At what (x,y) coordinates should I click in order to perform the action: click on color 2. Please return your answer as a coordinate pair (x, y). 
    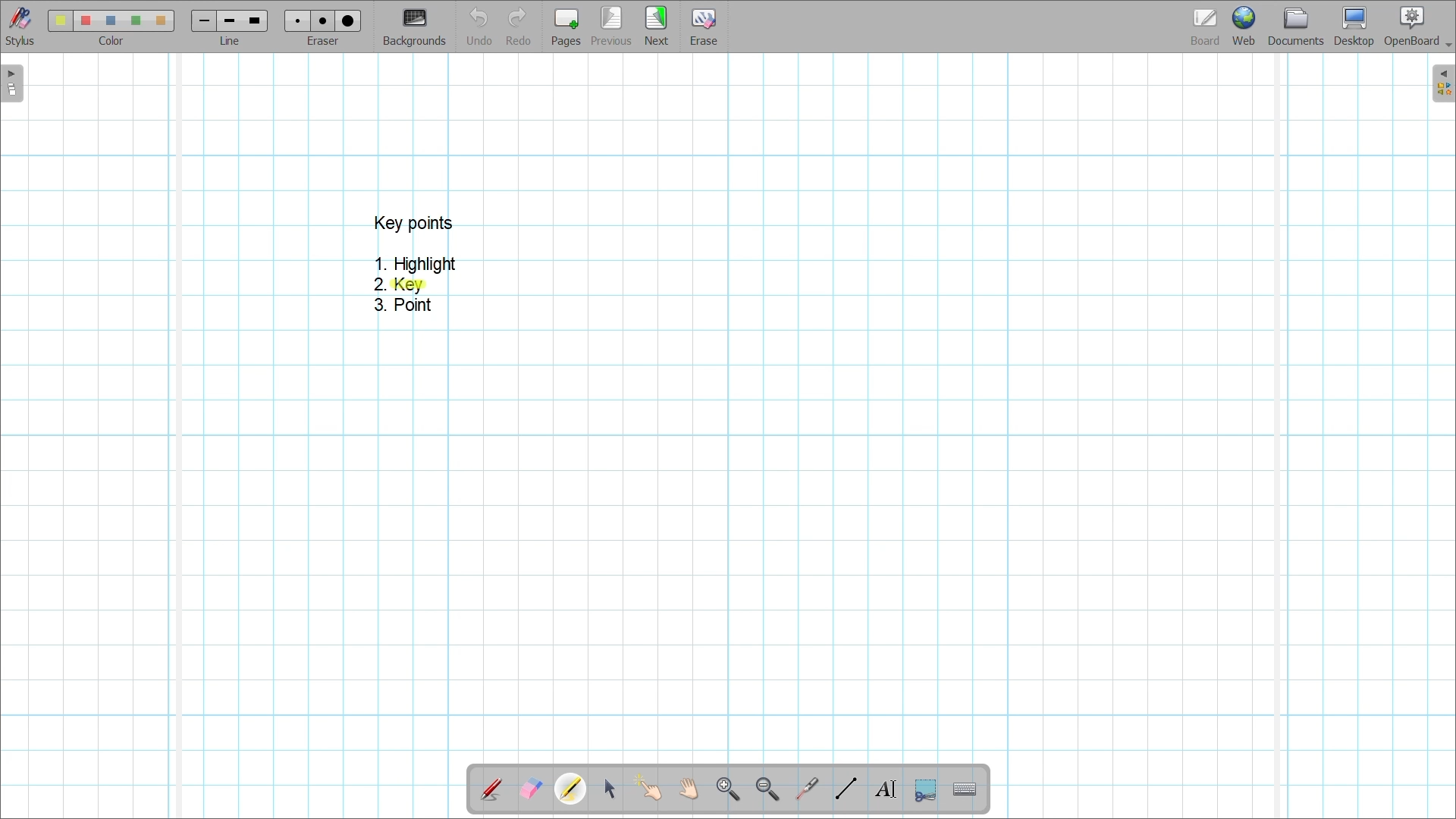
    Looking at the image, I should click on (85, 21).